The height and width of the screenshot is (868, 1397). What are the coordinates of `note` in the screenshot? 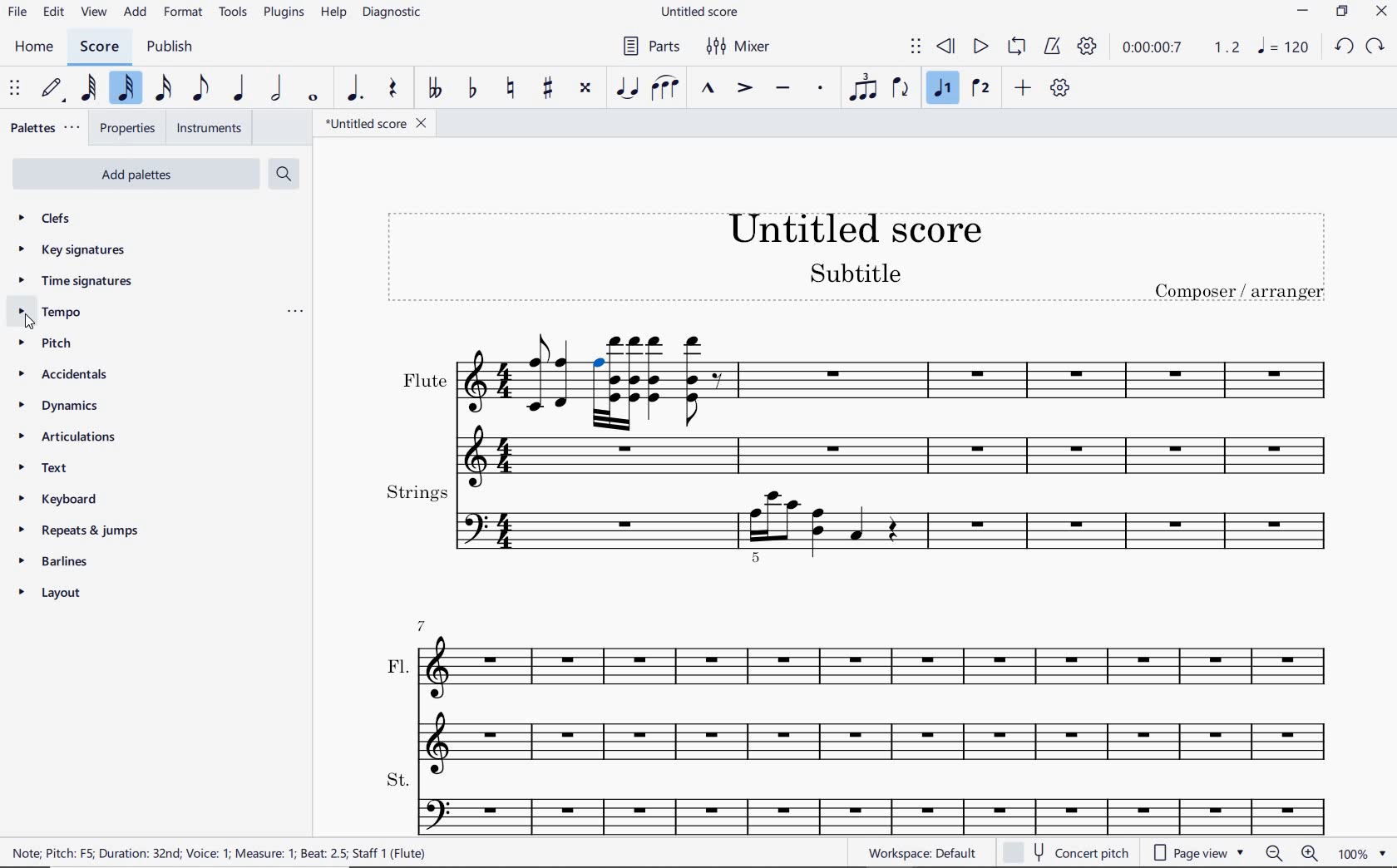 It's located at (1286, 48).